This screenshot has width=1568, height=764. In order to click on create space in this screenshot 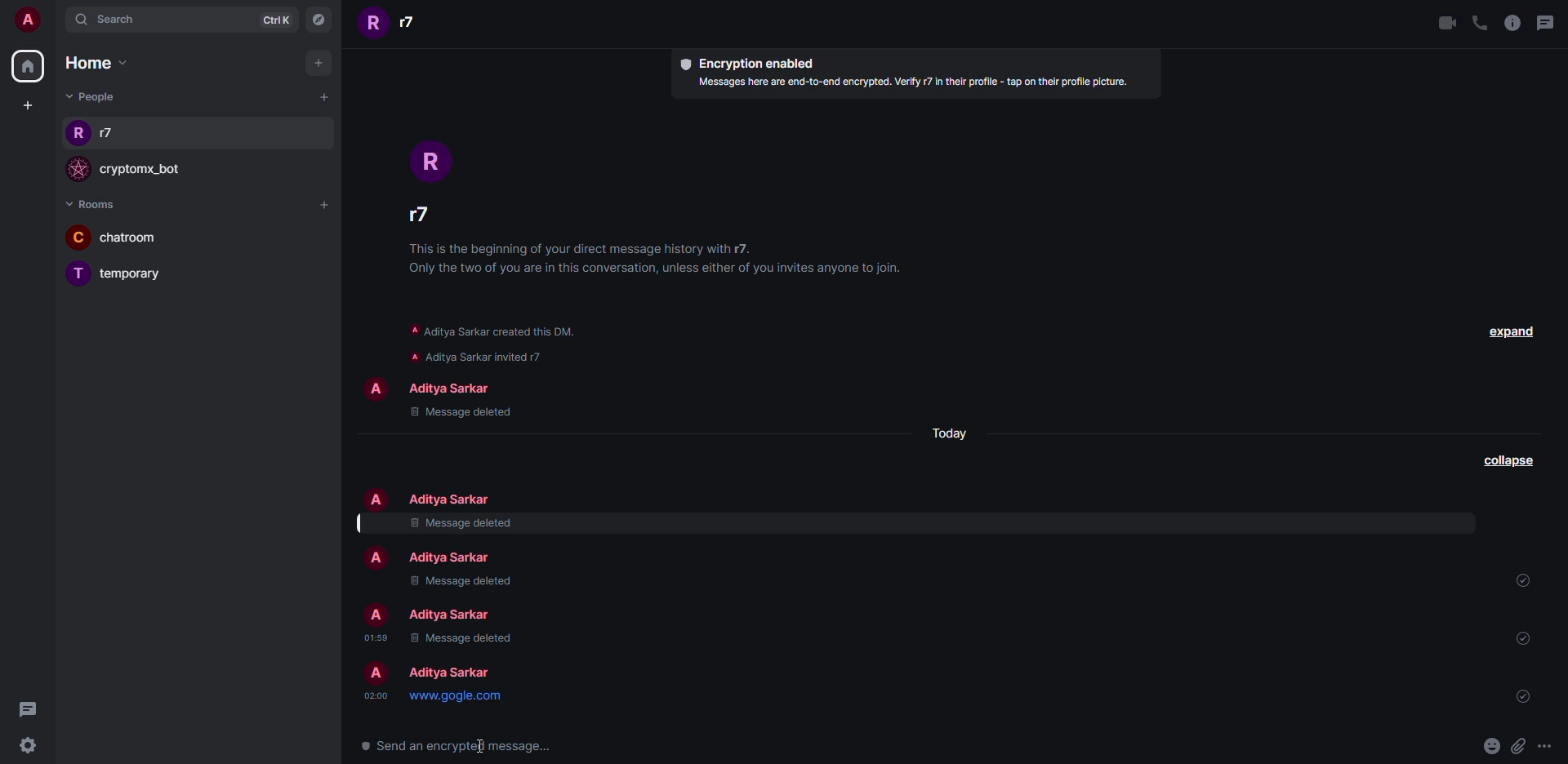, I will do `click(27, 104)`.